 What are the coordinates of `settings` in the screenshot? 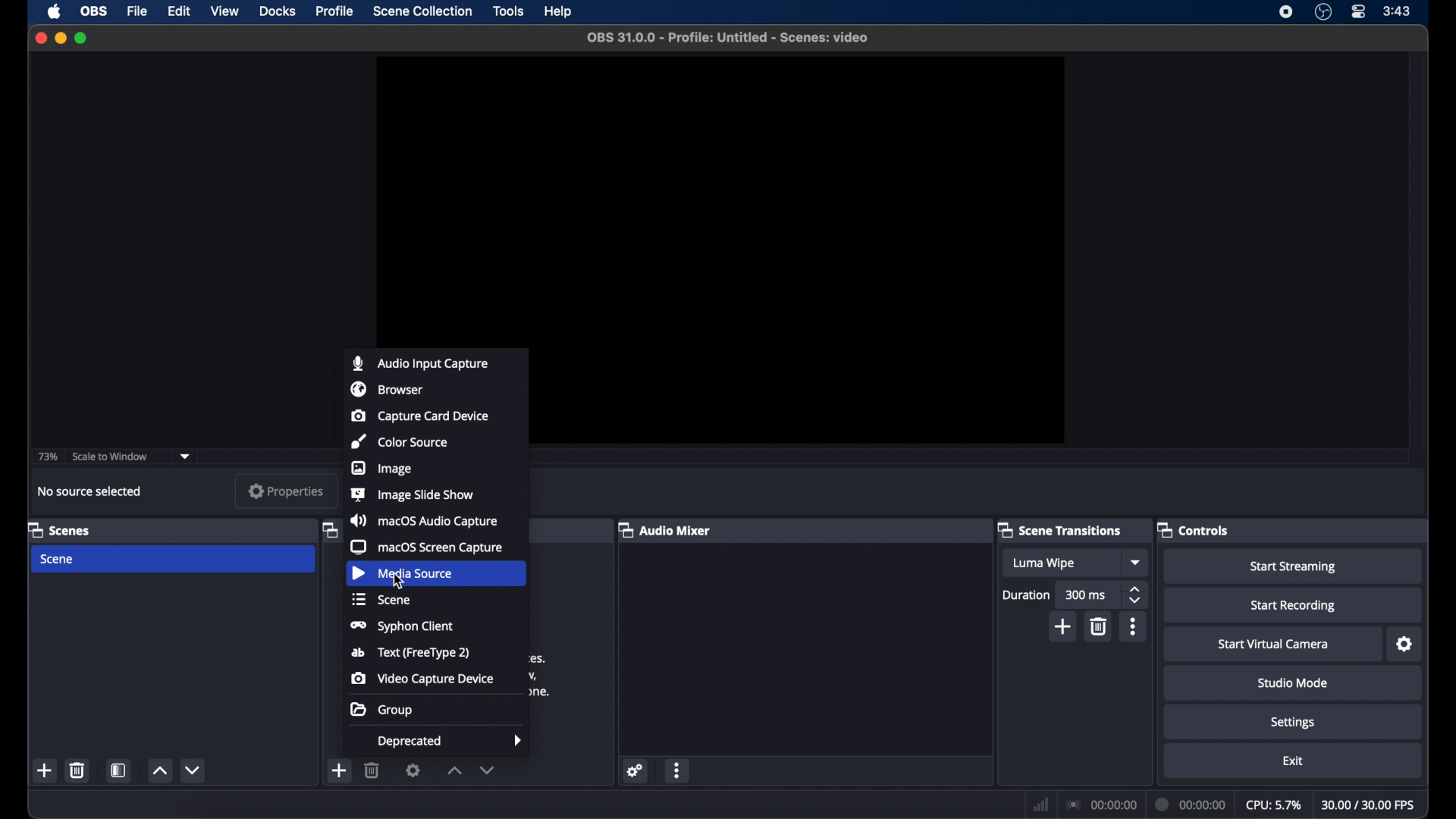 It's located at (1404, 644).